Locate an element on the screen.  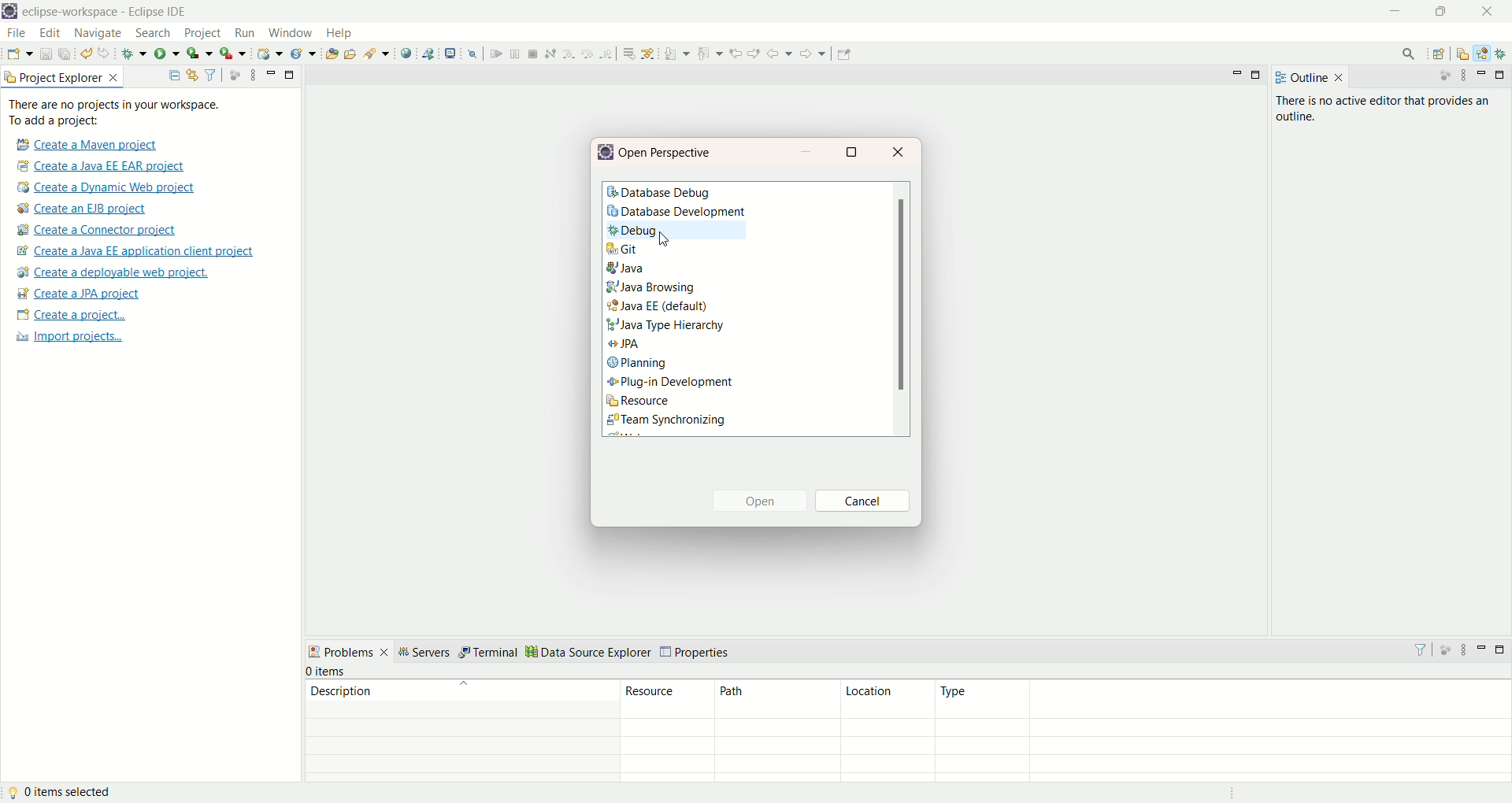
open is located at coordinates (758, 502).